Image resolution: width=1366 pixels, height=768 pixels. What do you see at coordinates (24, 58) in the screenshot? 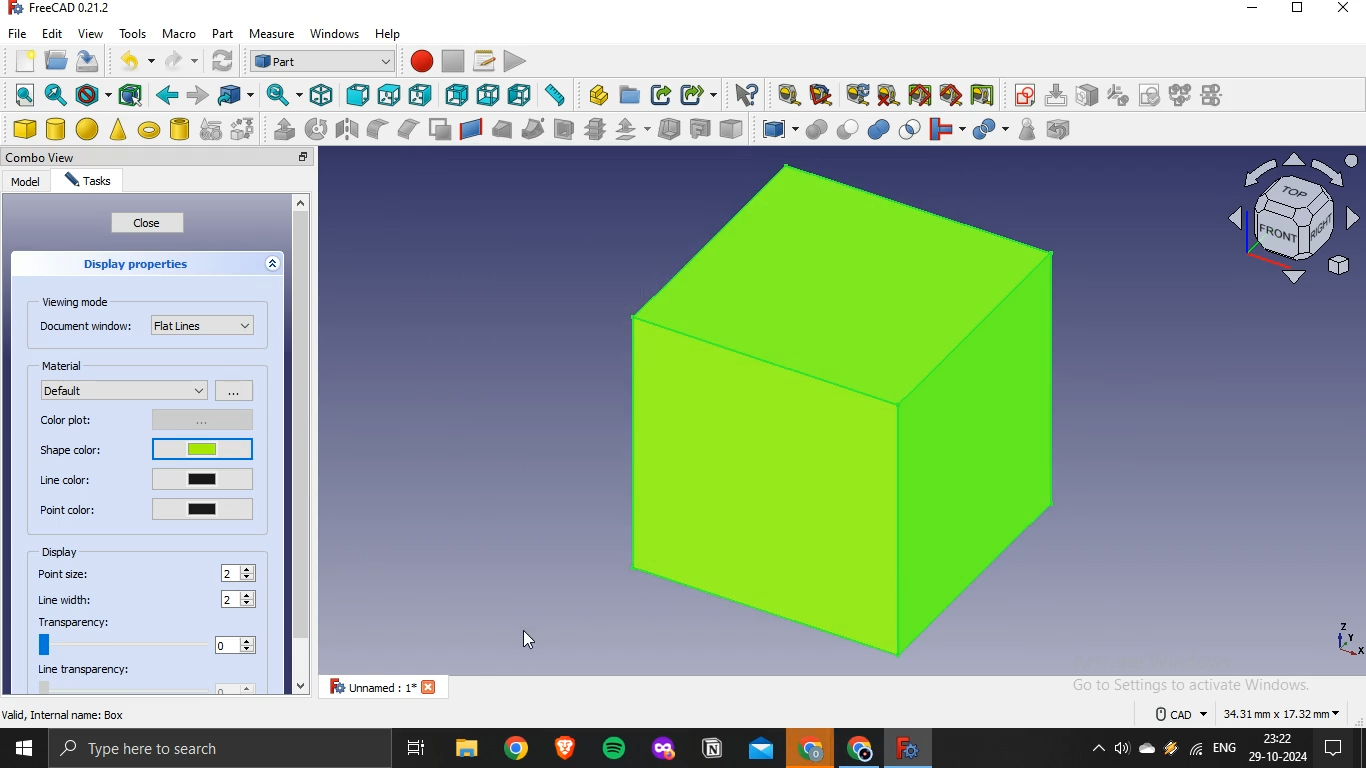
I see `new file` at bounding box center [24, 58].